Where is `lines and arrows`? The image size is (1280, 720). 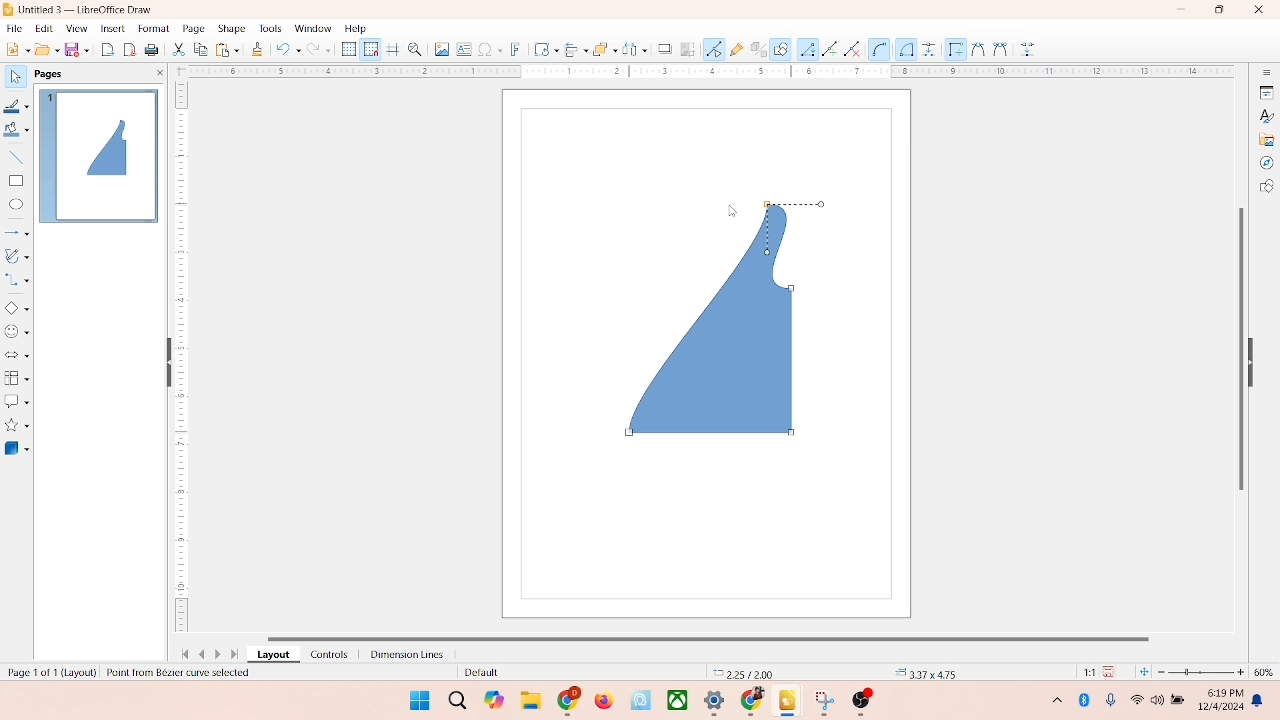
lines and arrows is located at coordinates (17, 232).